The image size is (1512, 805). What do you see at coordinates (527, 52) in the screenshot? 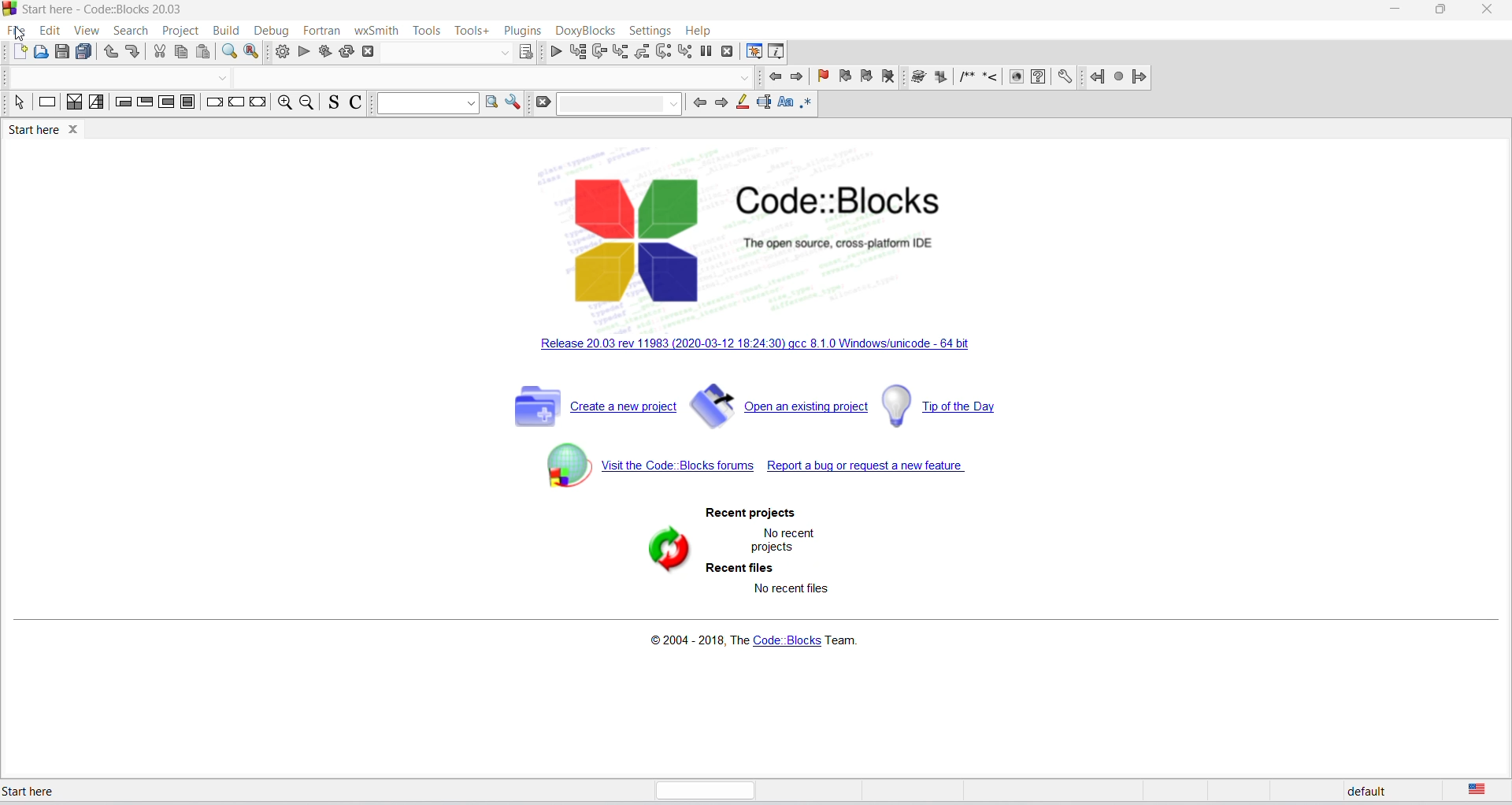
I see `target dialog` at bounding box center [527, 52].